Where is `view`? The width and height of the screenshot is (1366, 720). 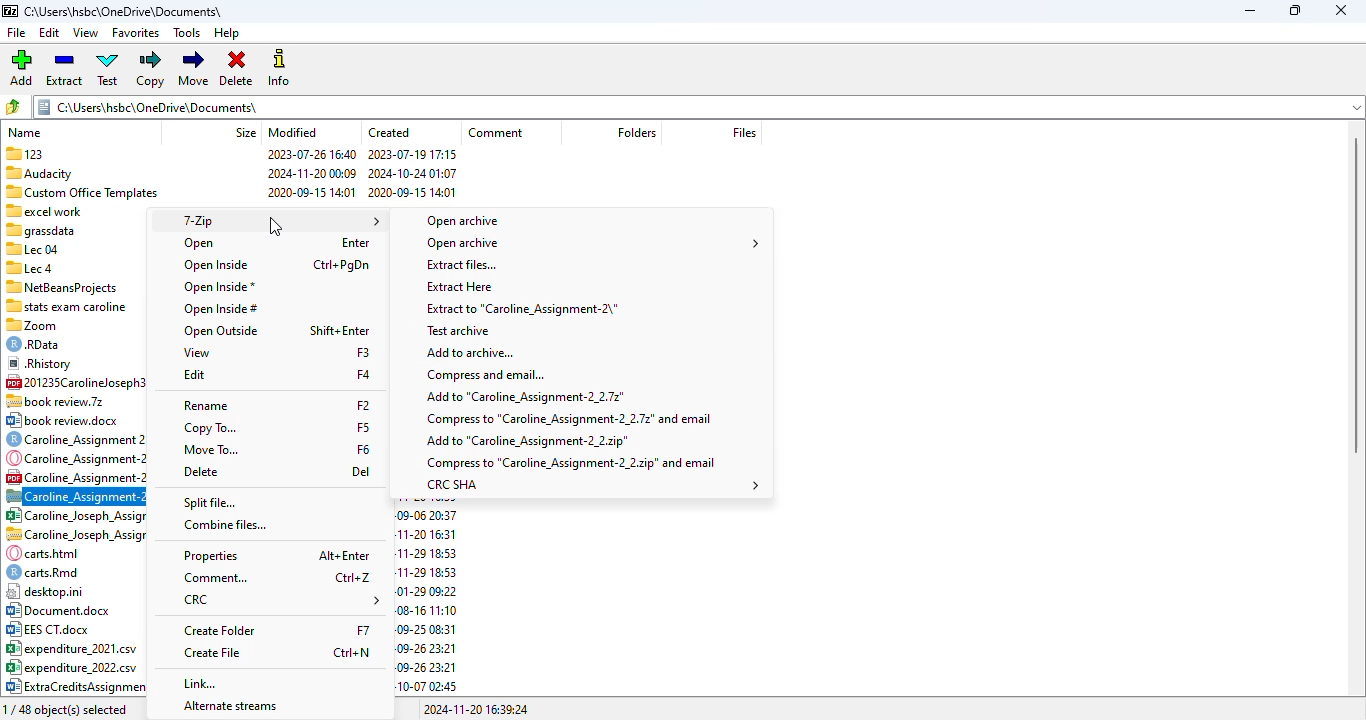
view is located at coordinates (196, 353).